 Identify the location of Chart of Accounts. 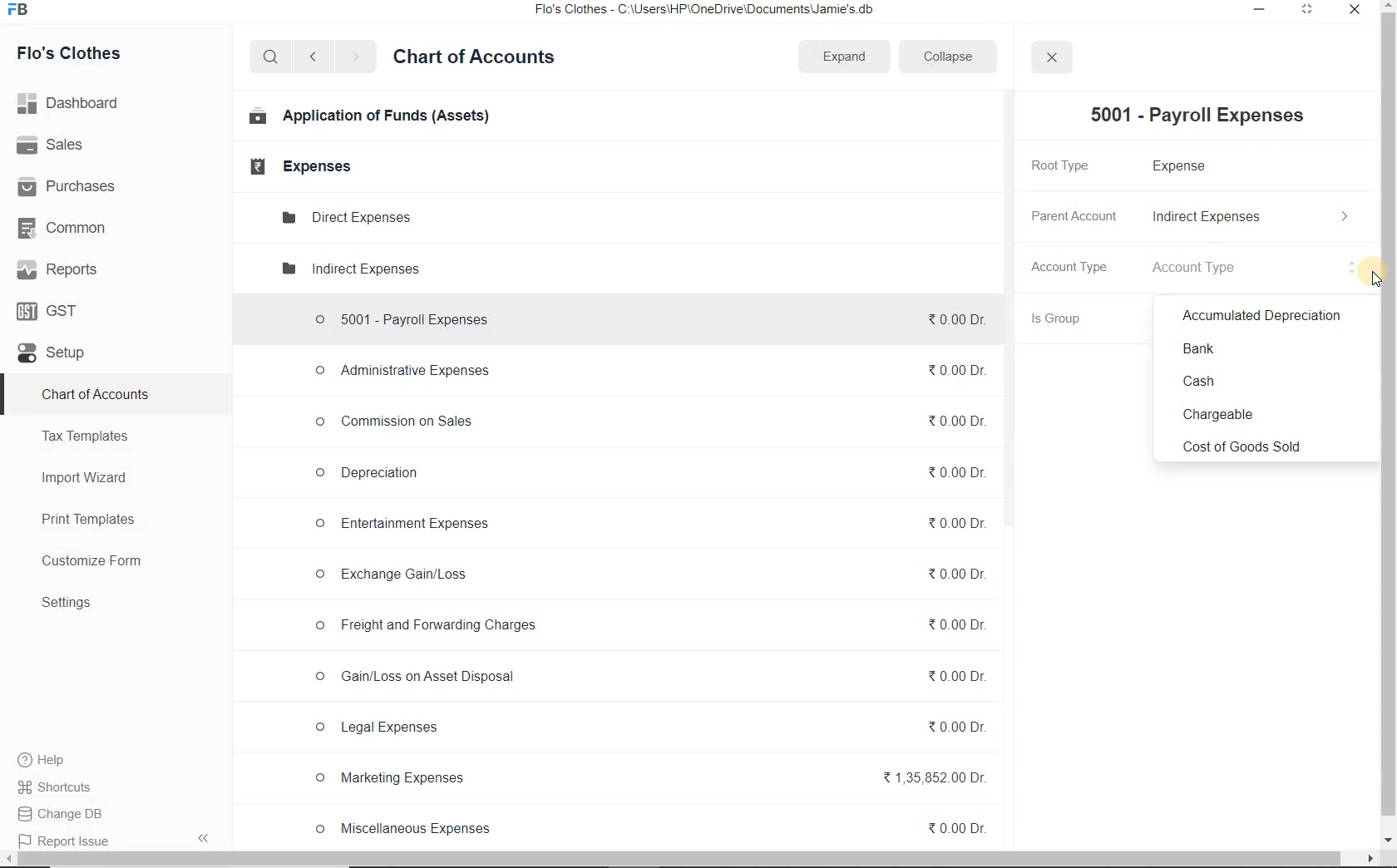
(95, 396).